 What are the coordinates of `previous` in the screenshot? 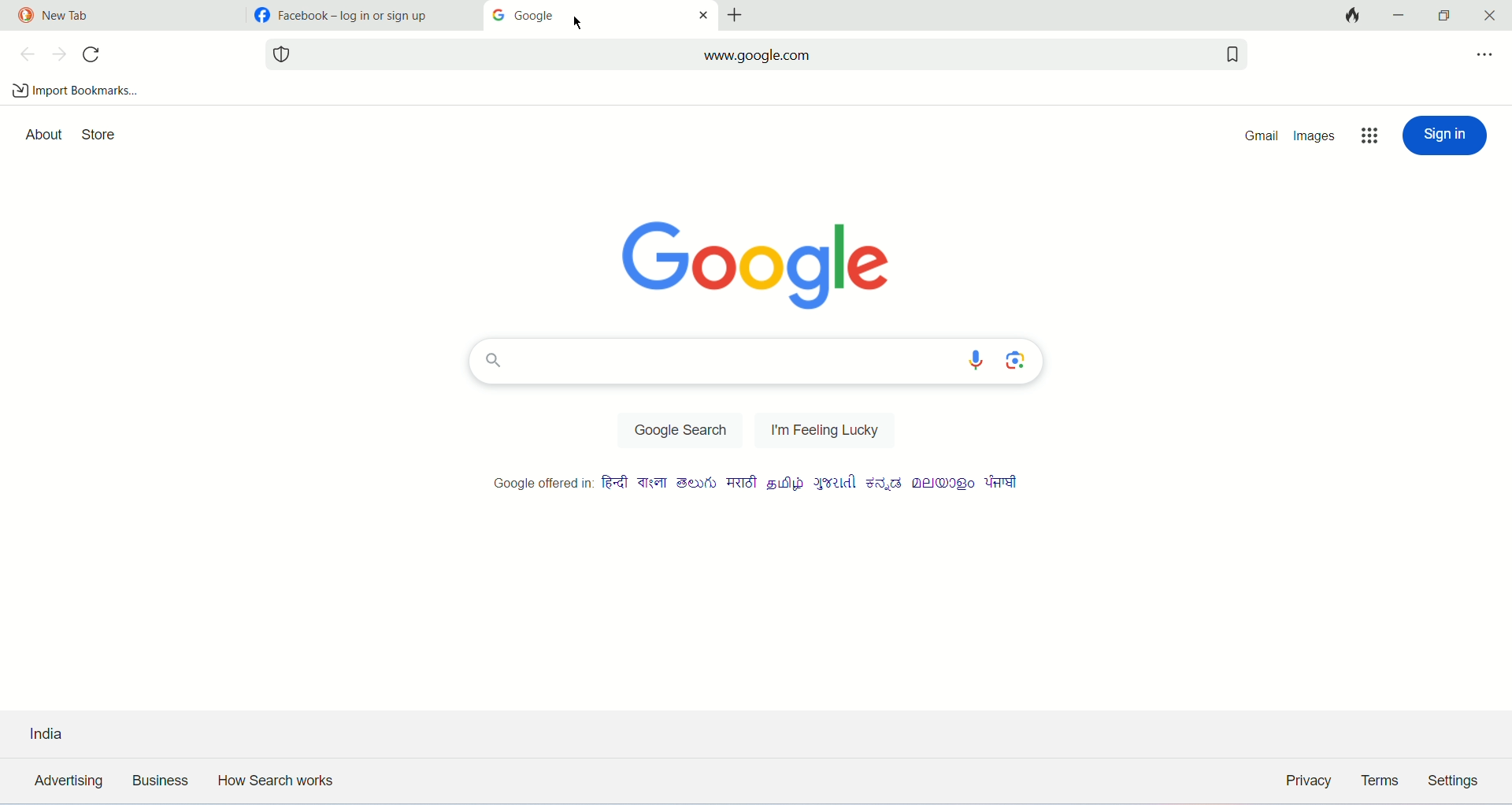 It's located at (25, 54).